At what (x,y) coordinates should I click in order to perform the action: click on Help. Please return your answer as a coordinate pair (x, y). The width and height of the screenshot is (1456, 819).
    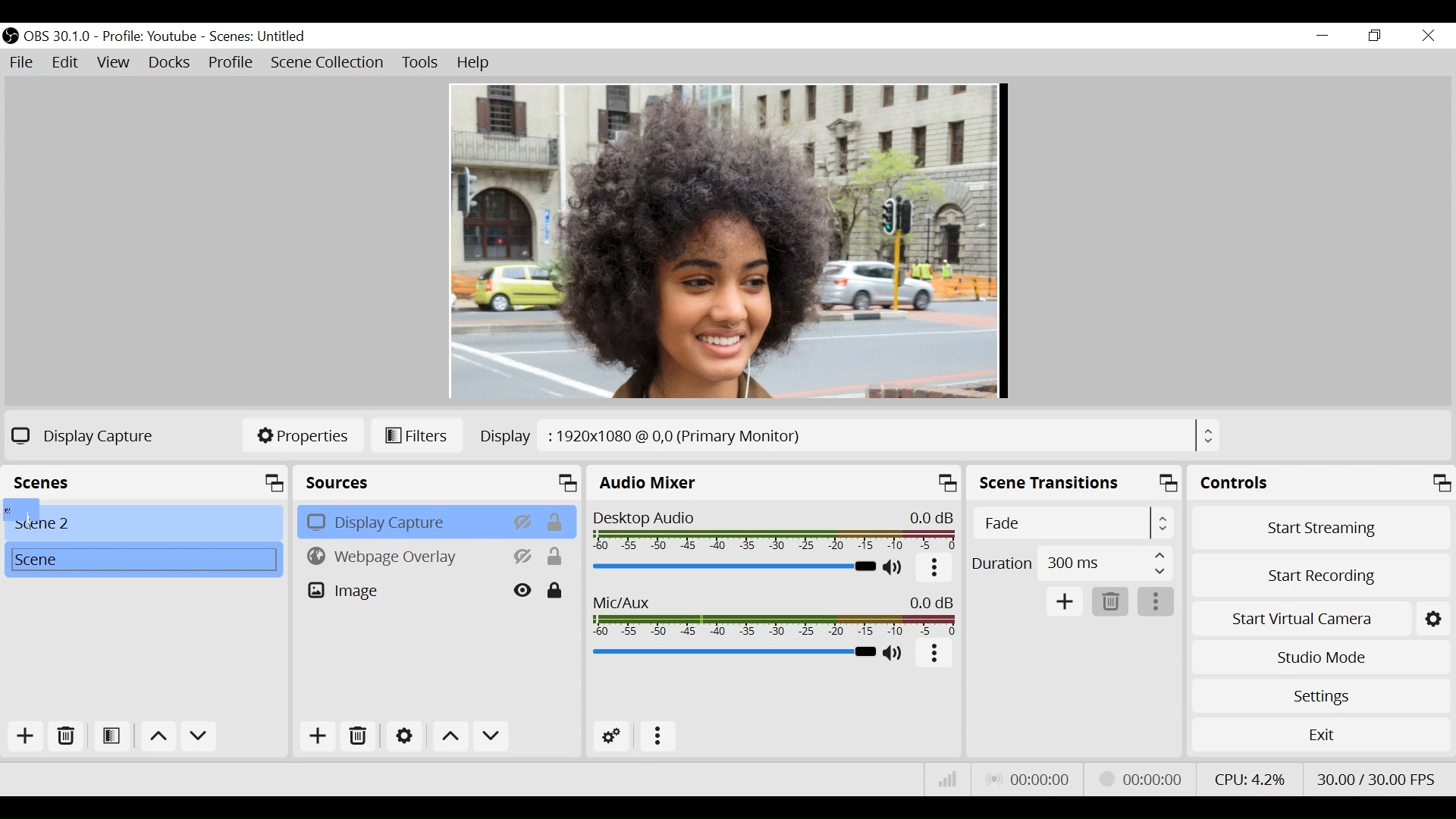
    Looking at the image, I should click on (475, 64).